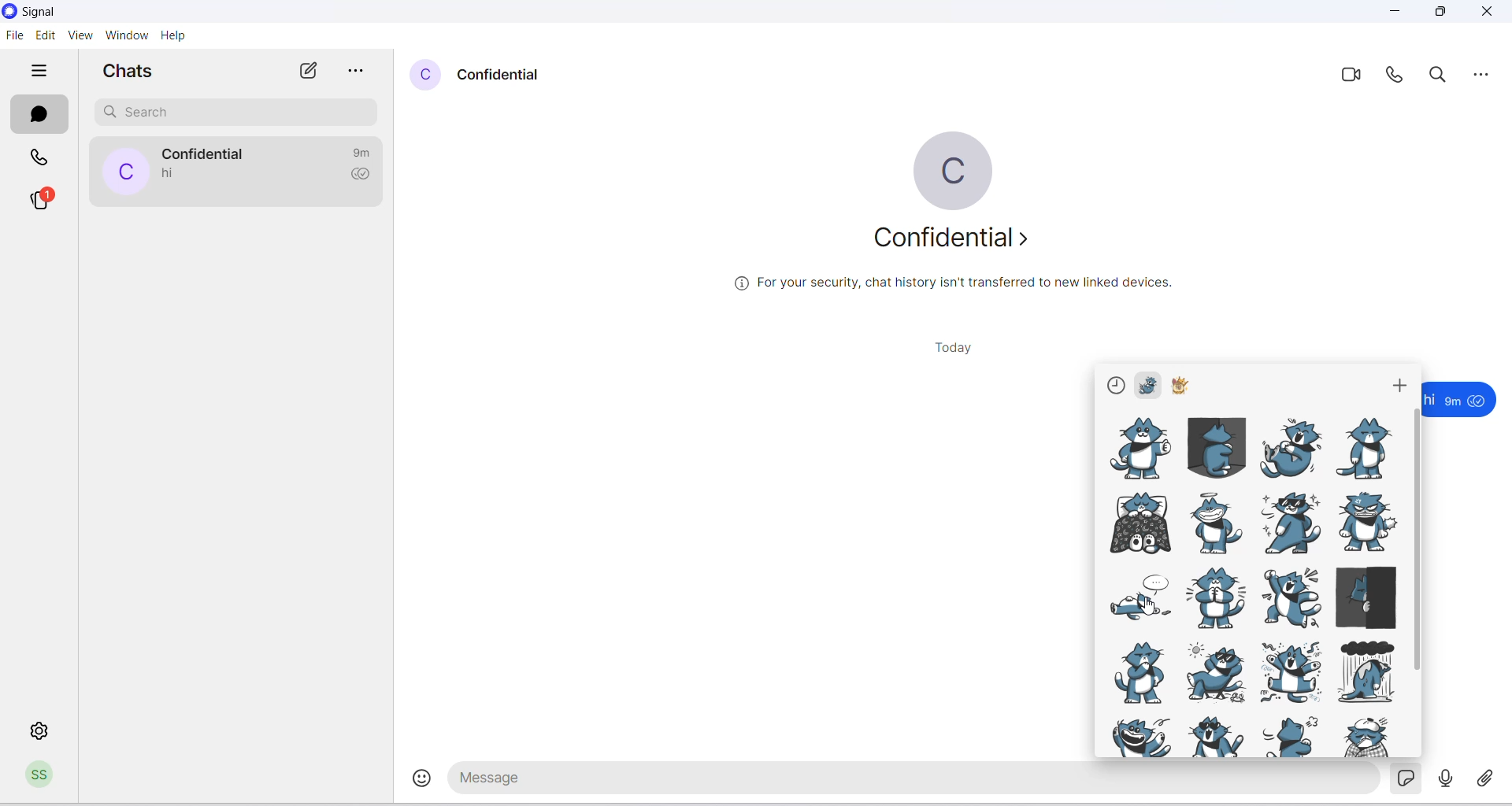  I want to click on close, so click(1489, 13).